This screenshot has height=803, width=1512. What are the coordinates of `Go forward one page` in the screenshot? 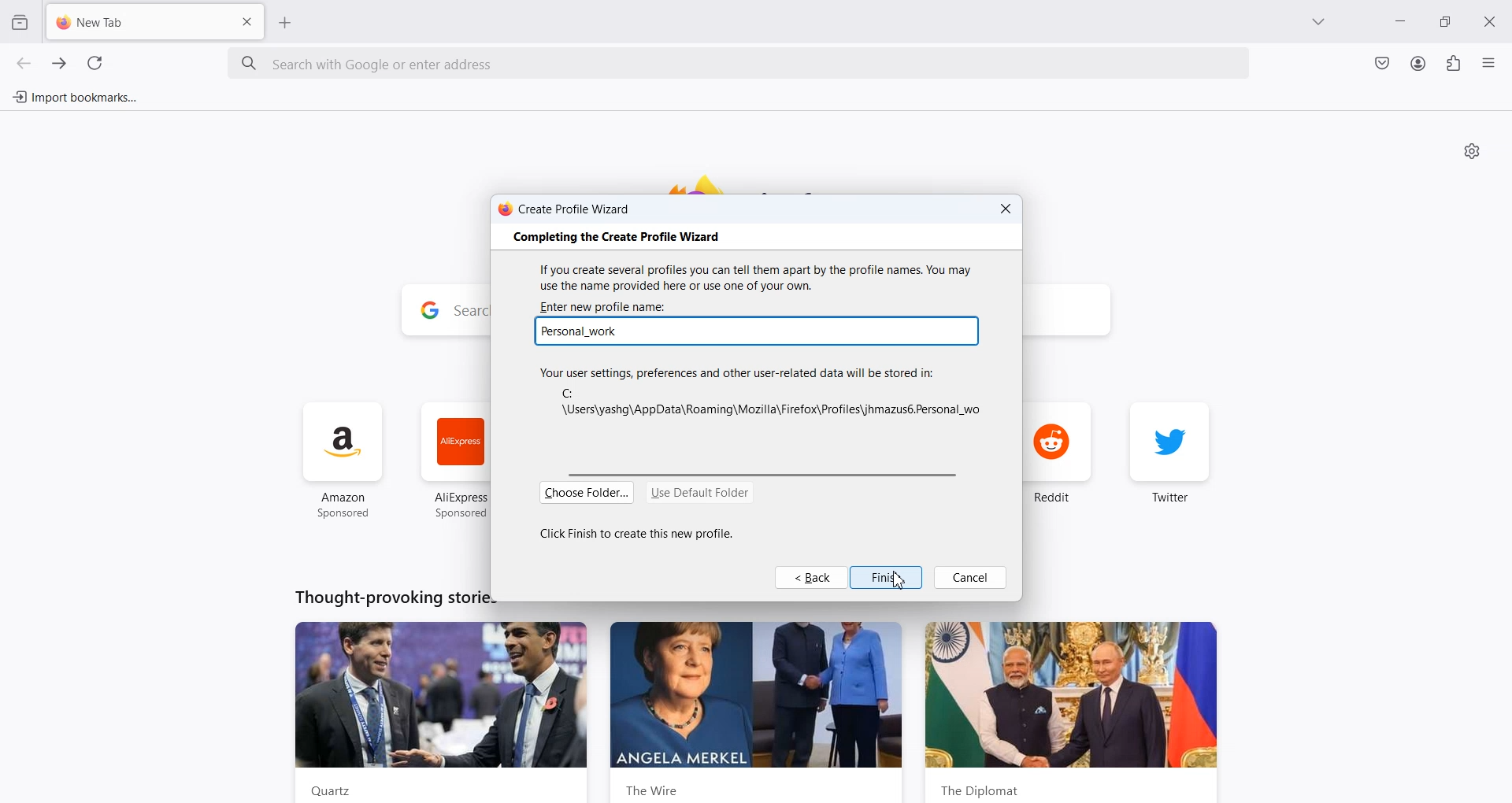 It's located at (57, 63).